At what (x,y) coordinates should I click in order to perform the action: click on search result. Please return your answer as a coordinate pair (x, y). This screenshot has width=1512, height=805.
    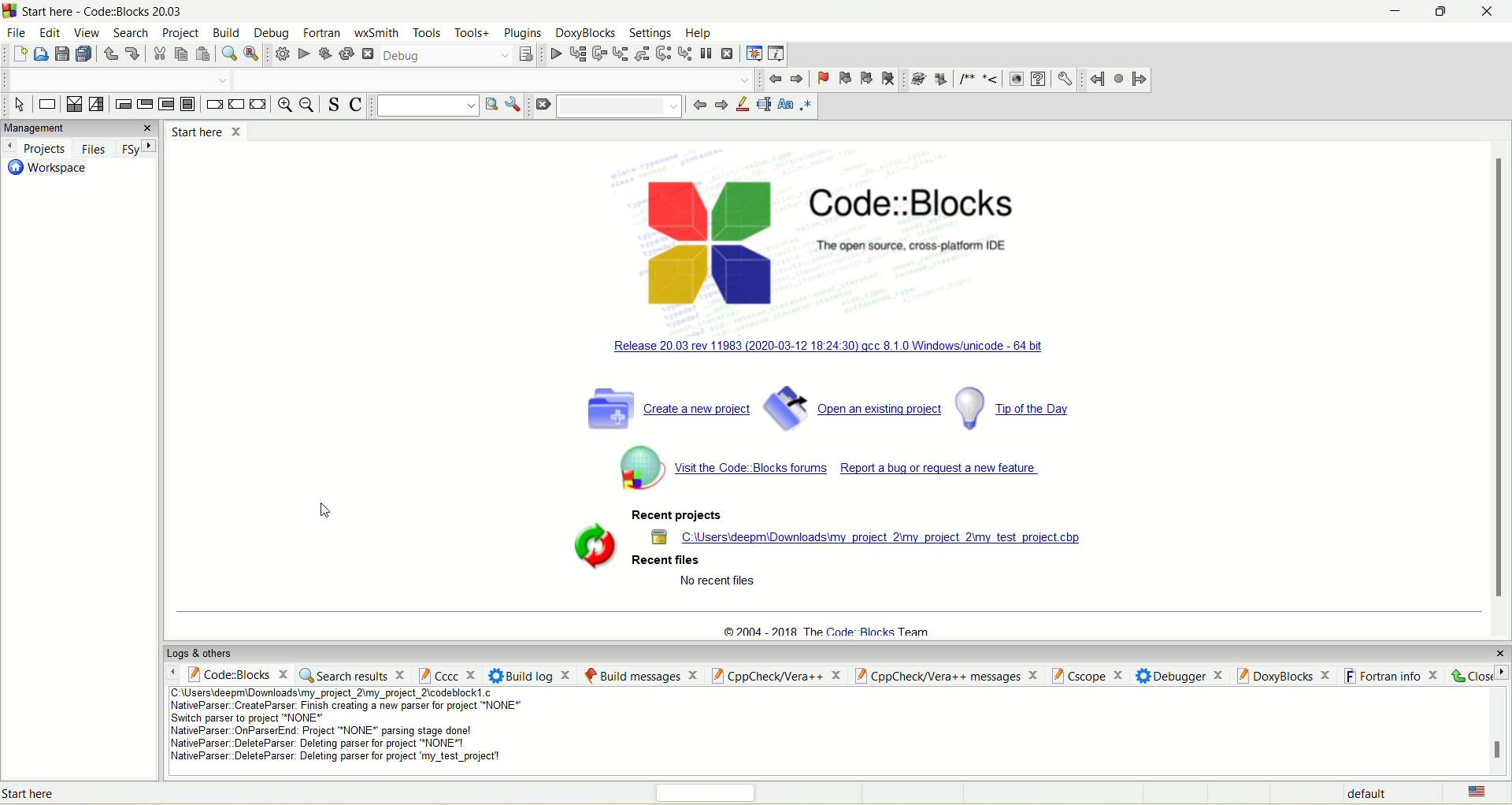
    Looking at the image, I should click on (362, 677).